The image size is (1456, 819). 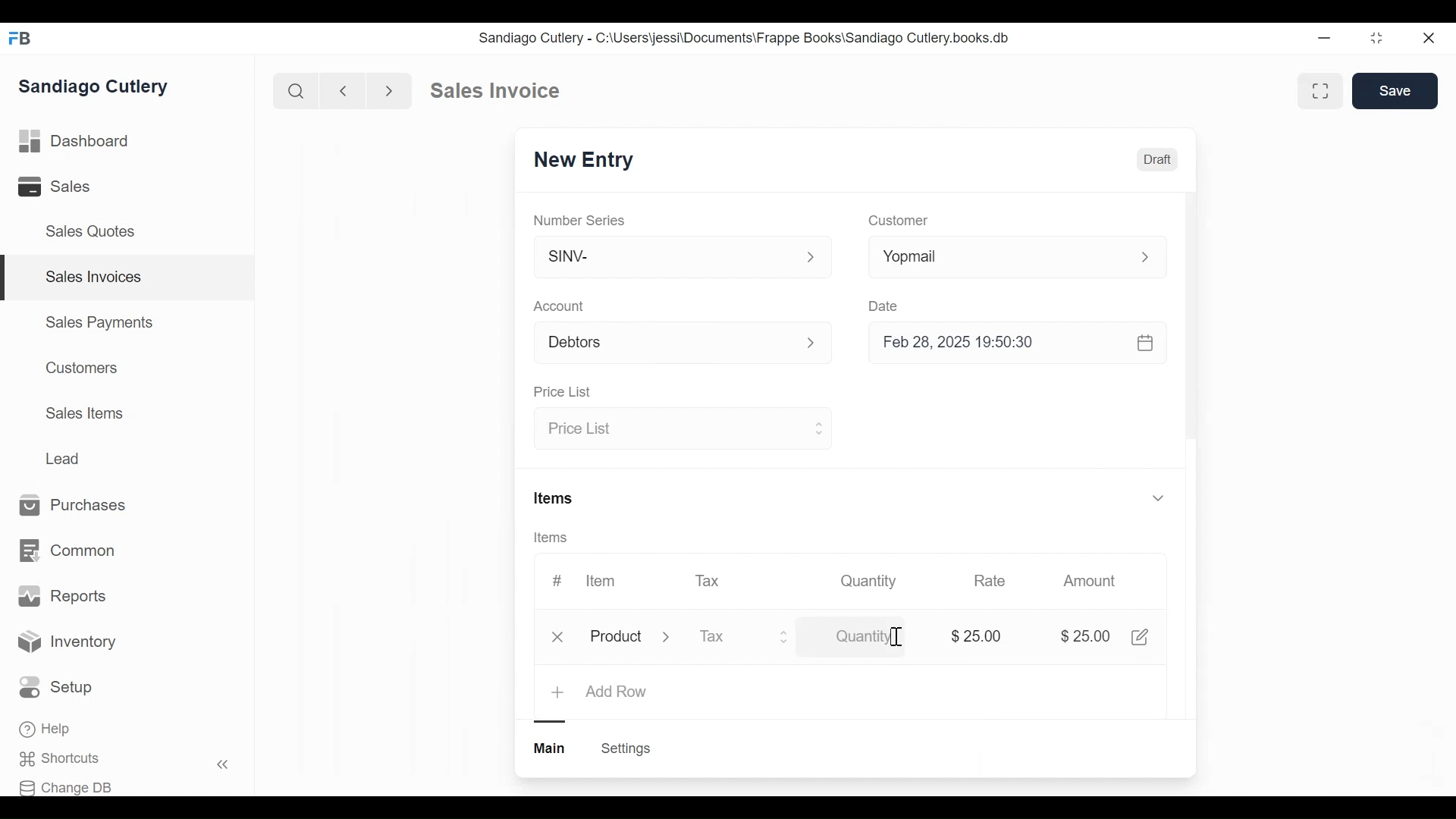 What do you see at coordinates (566, 392) in the screenshot?
I see `Price List` at bounding box center [566, 392].